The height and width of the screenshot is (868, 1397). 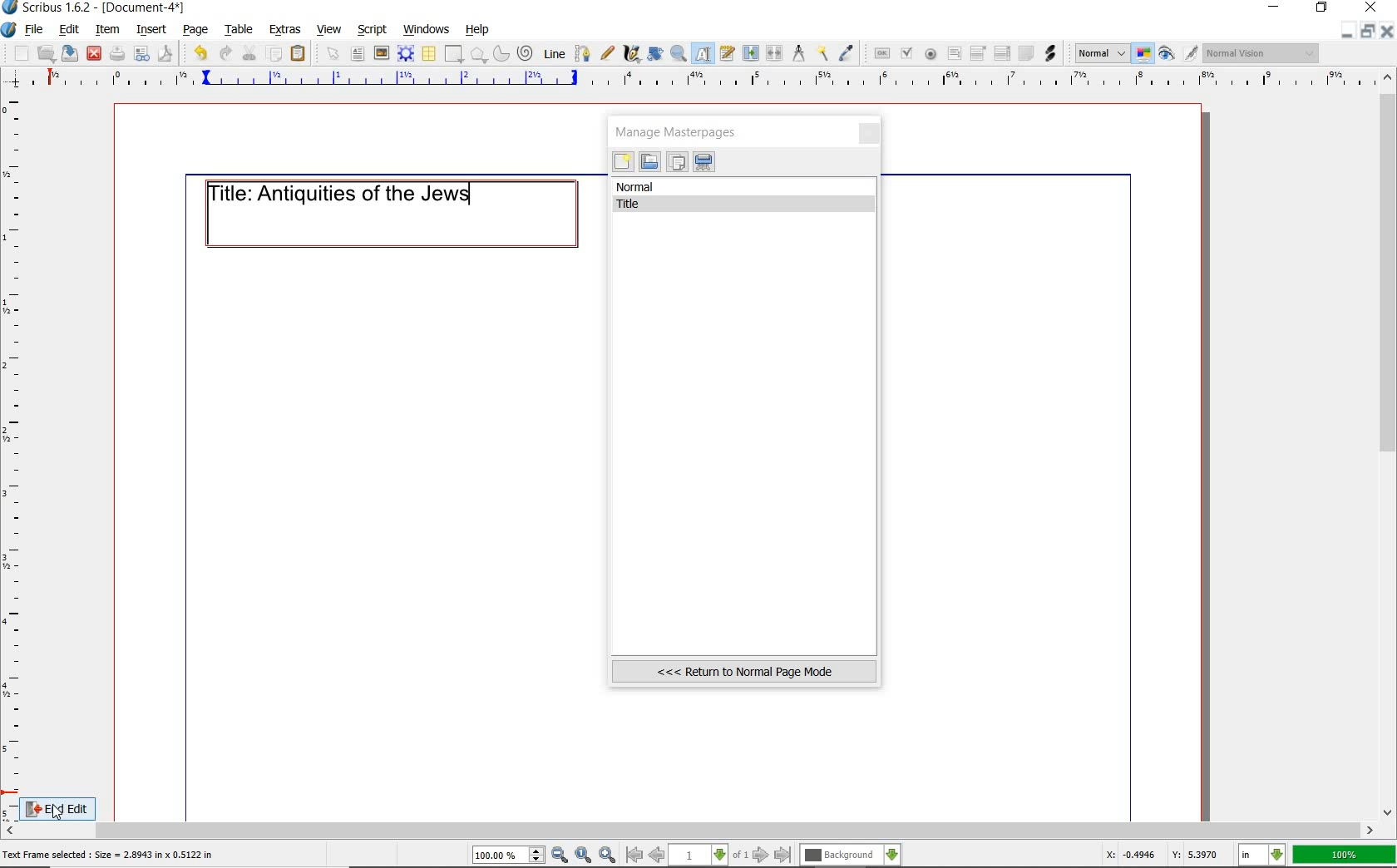 What do you see at coordinates (728, 55) in the screenshot?
I see `edit text with story editor` at bounding box center [728, 55].